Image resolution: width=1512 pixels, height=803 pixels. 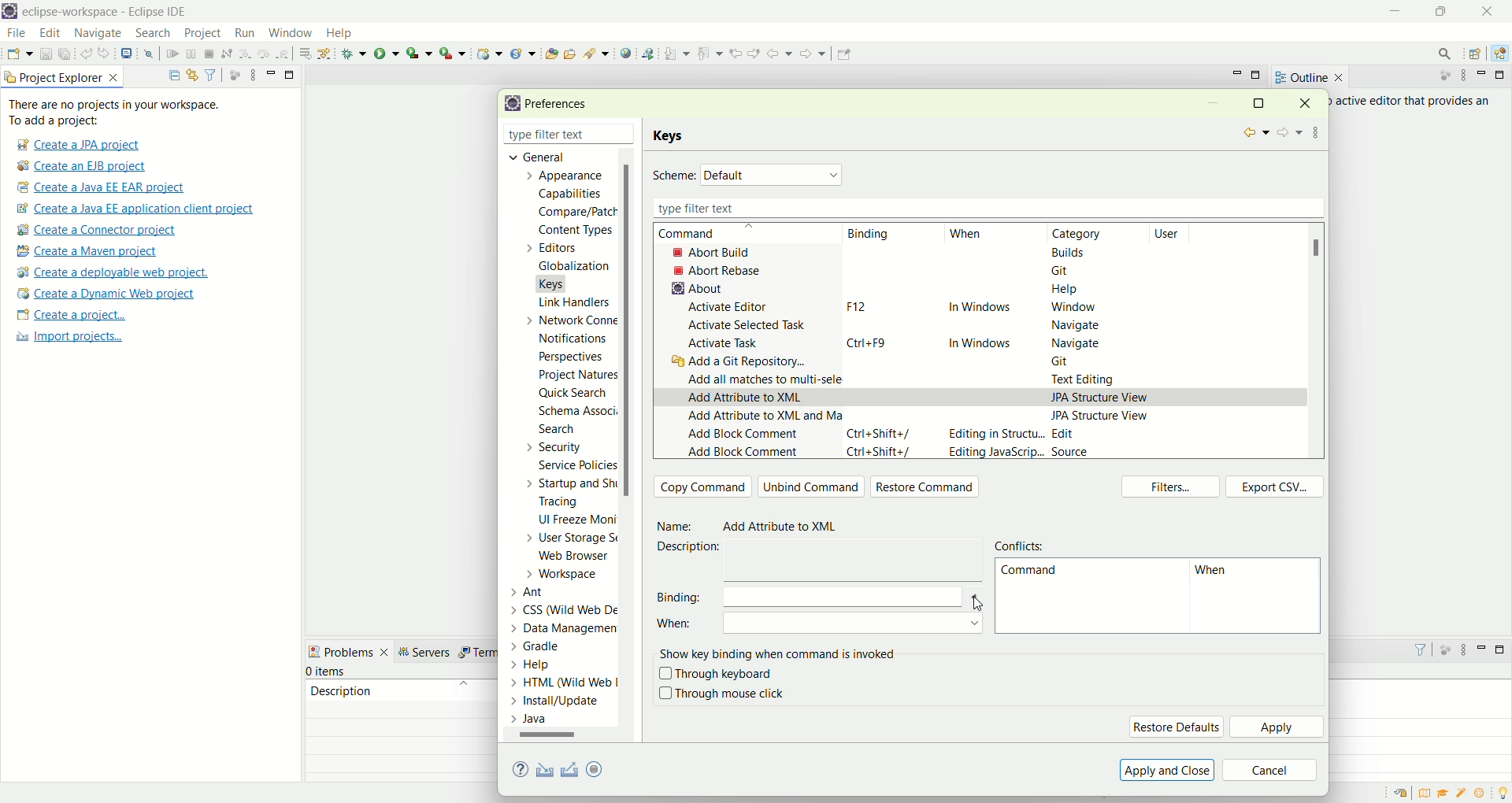 I want to click on strl+F9, so click(x=872, y=342).